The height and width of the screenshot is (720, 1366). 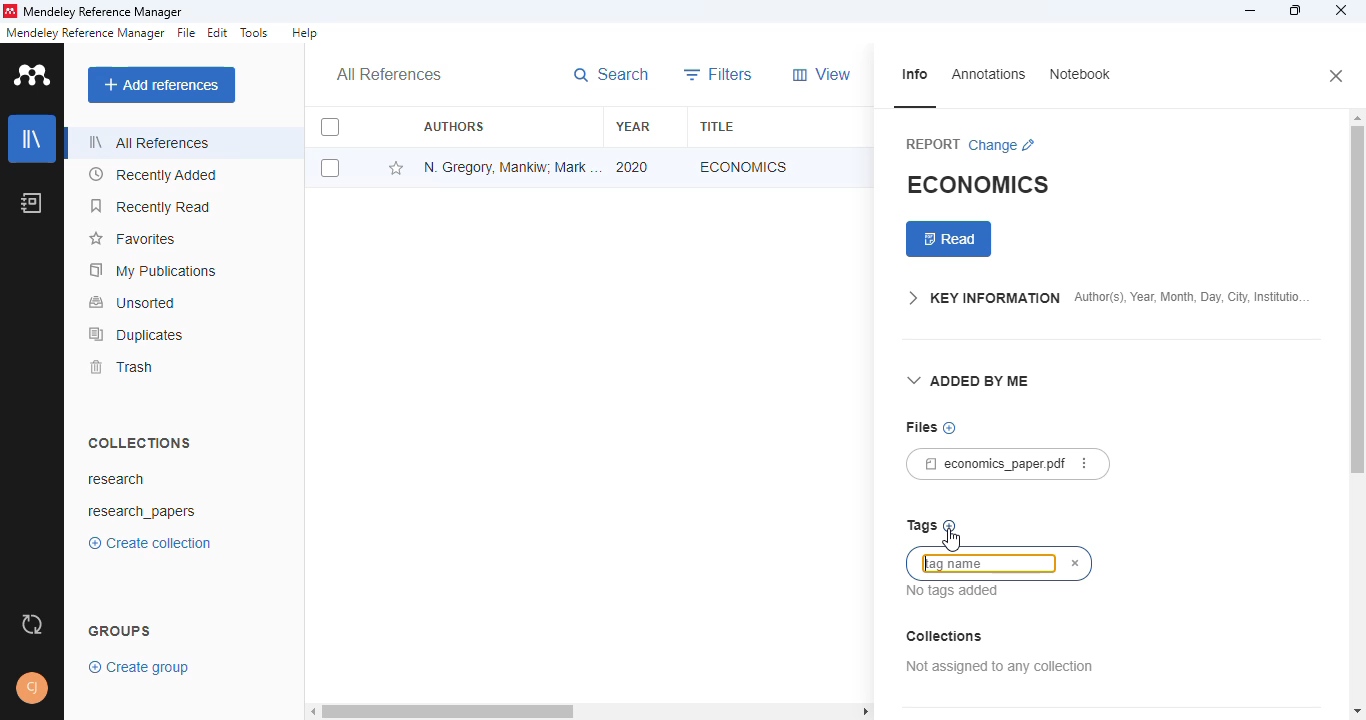 I want to click on mendeley reference manager, so click(x=85, y=32).